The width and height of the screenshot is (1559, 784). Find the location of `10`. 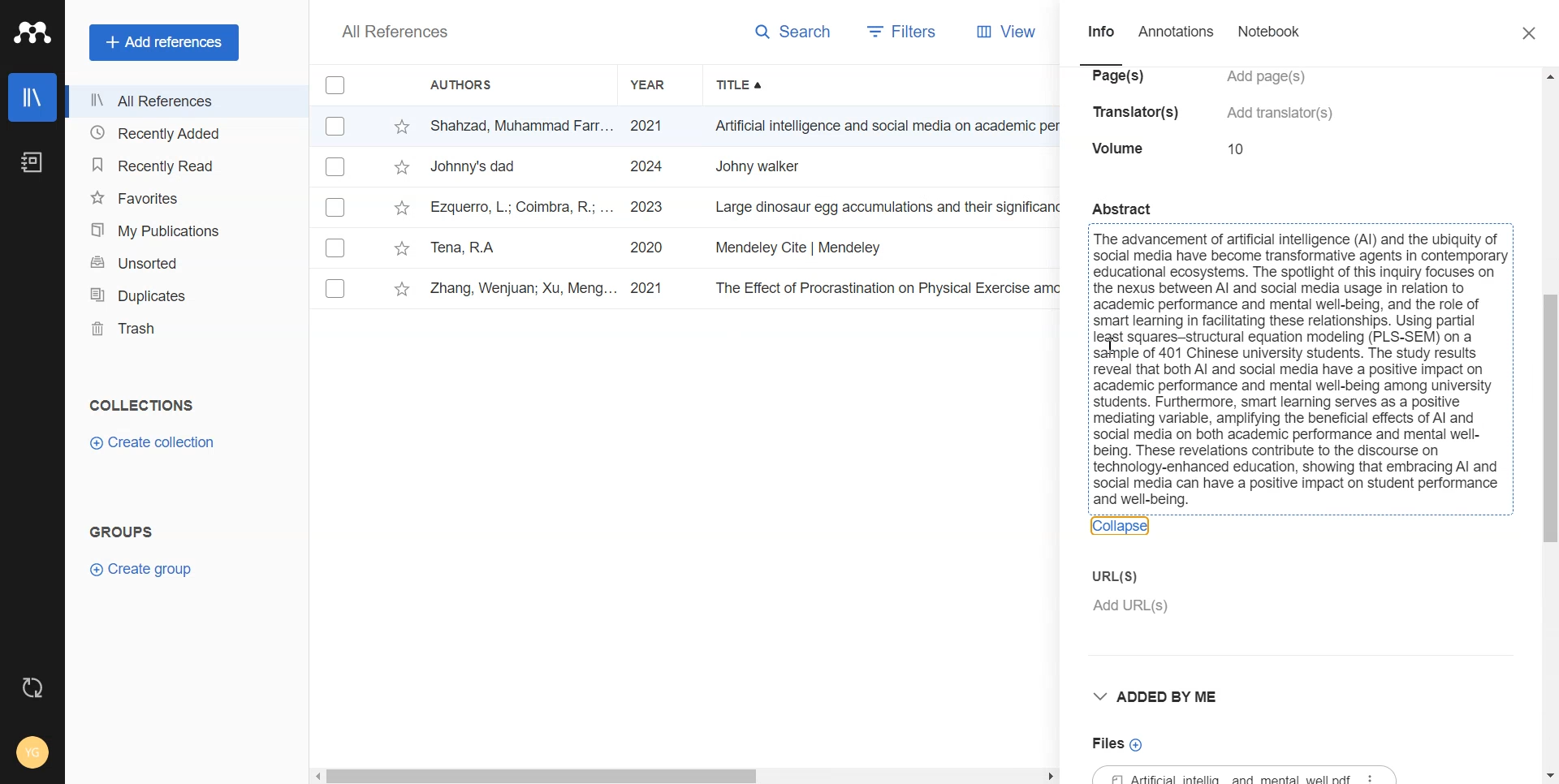

10 is located at coordinates (1241, 149).